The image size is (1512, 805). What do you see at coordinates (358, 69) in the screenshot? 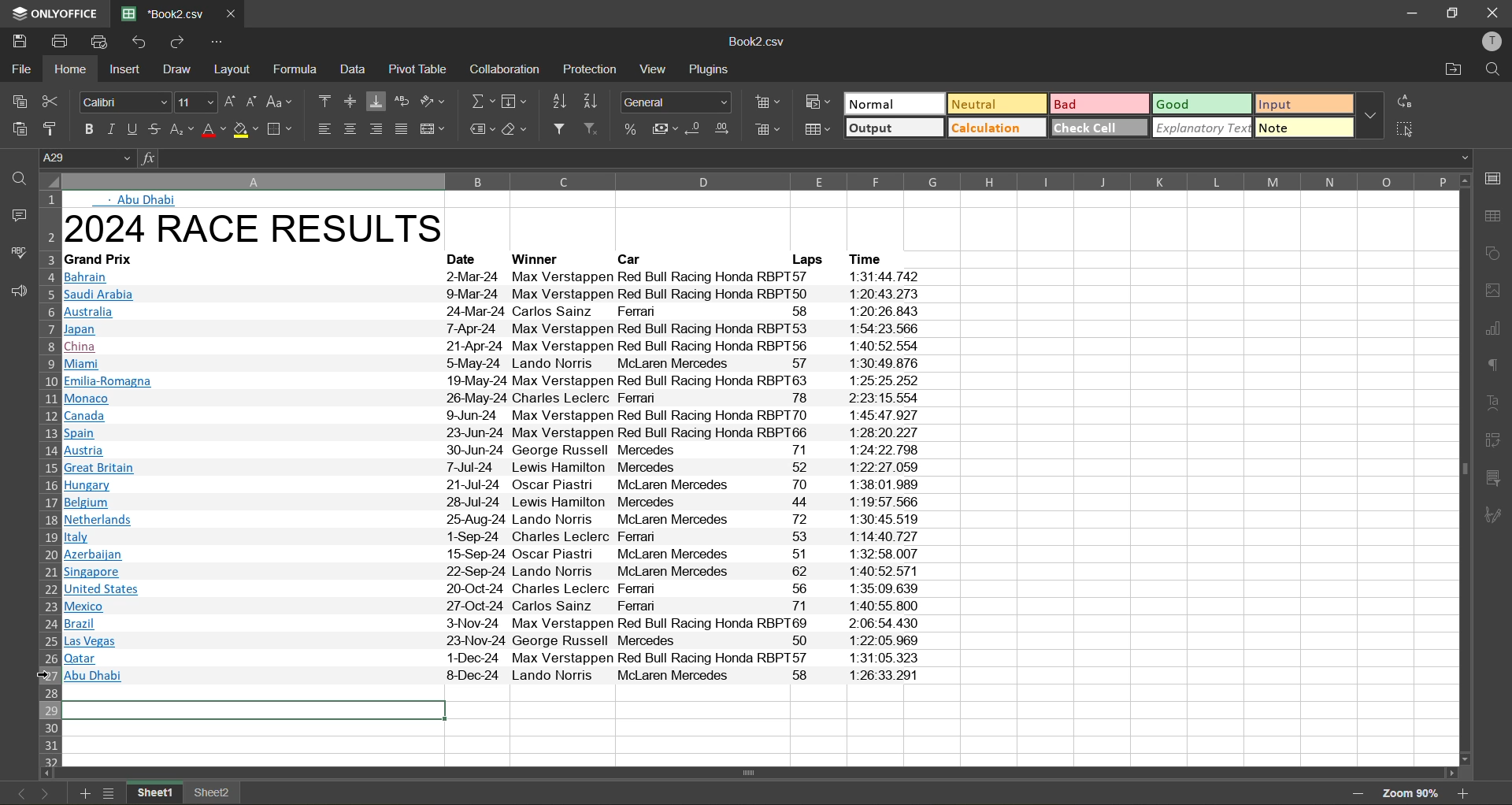
I see `data` at bounding box center [358, 69].